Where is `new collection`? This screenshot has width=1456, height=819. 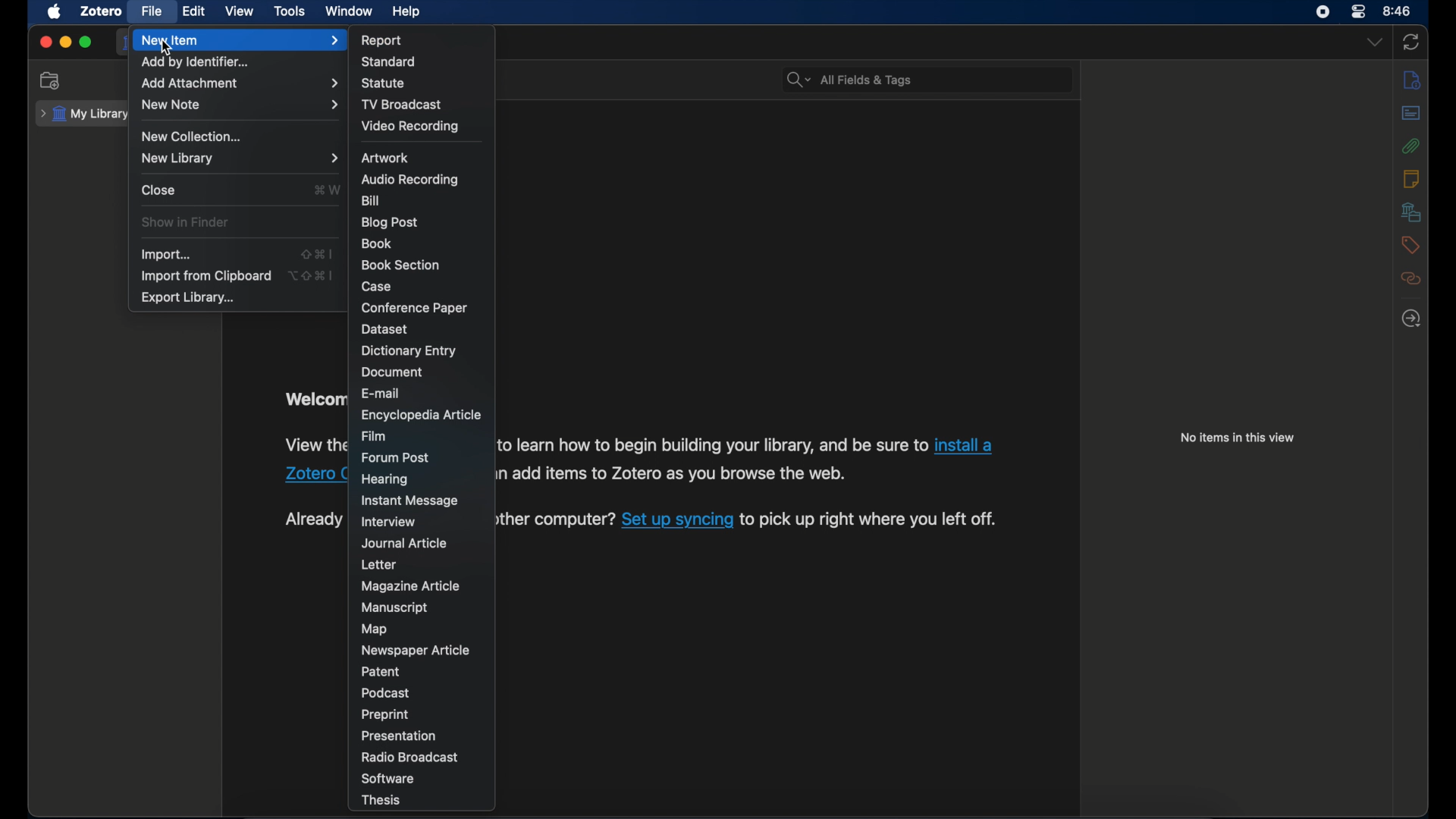 new collection is located at coordinates (52, 81).